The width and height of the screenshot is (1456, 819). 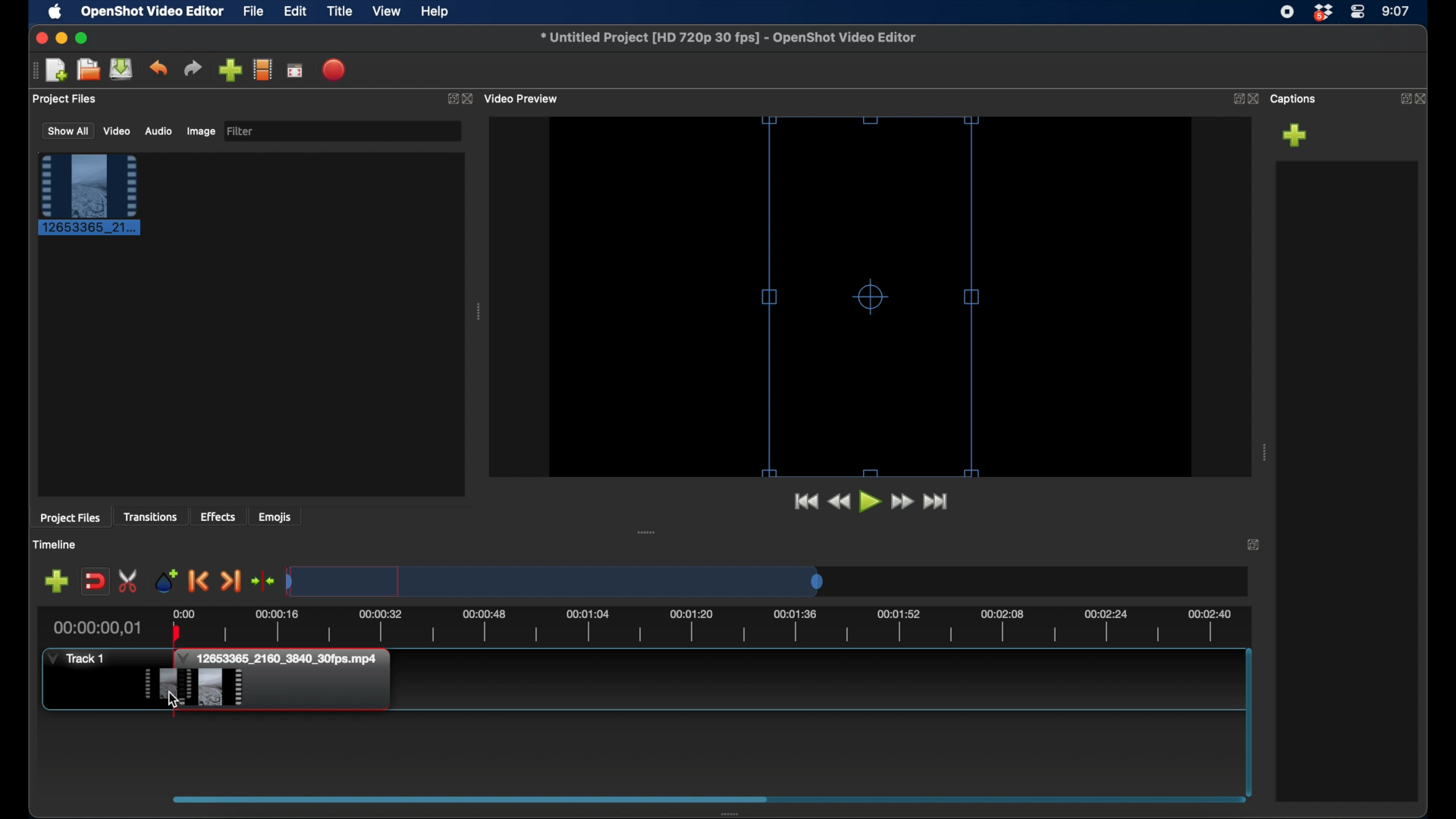 What do you see at coordinates (193, 68) in the screenshot?
I see `redo` at bounding box center [193, 68].